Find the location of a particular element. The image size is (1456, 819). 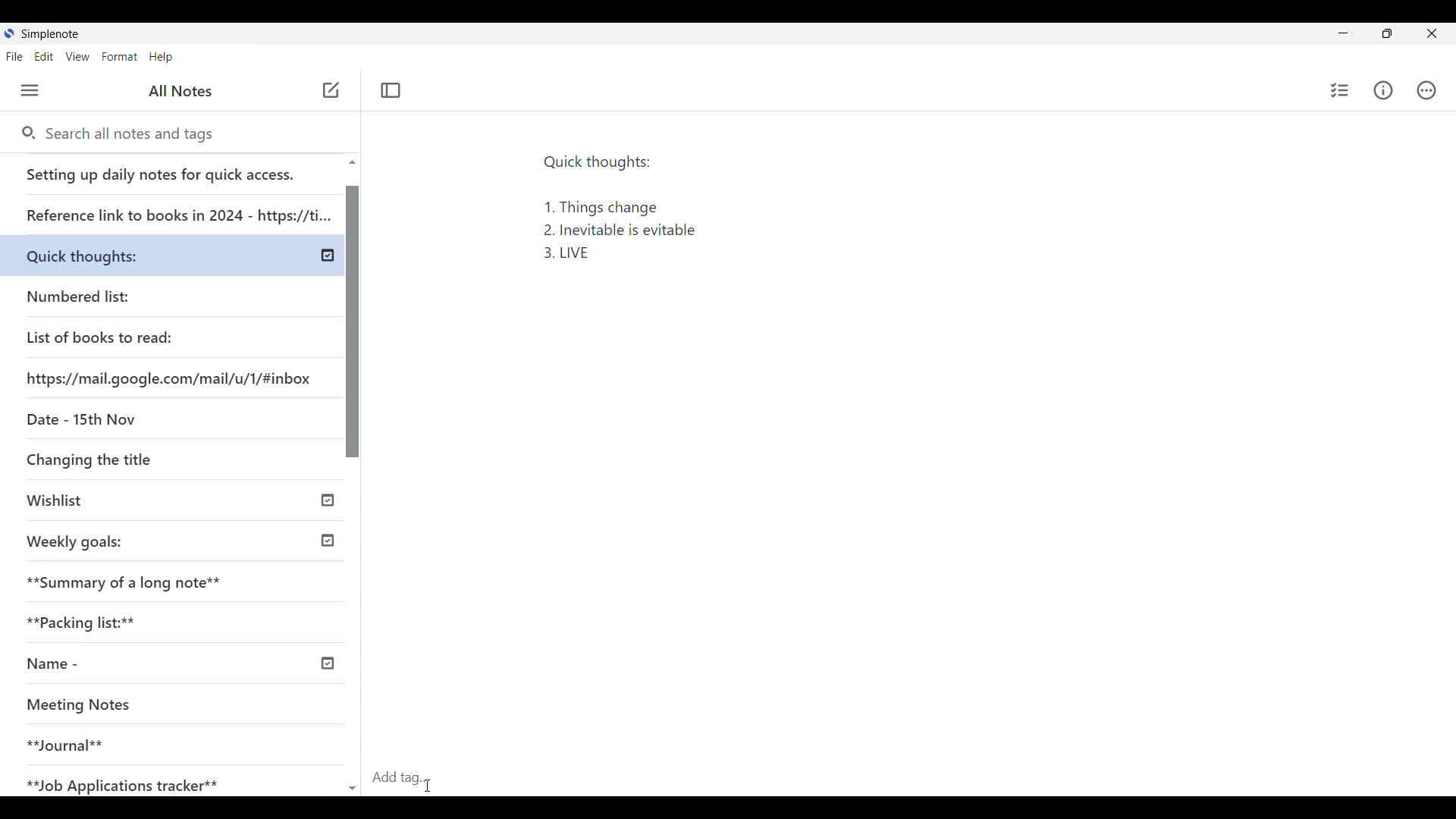

published is located at coordinates (328, 498).